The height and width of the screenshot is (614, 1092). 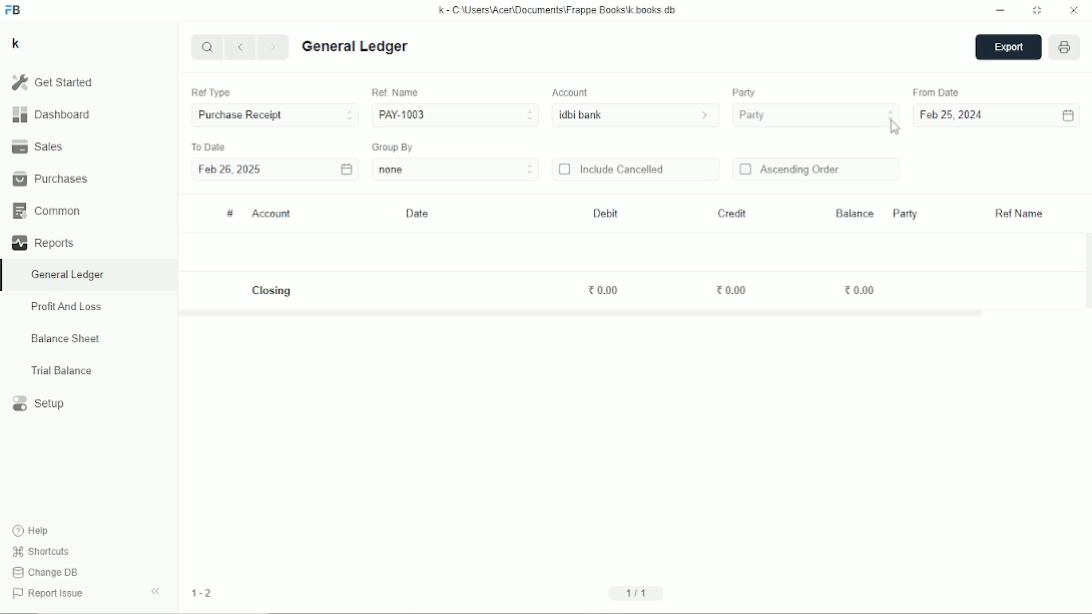 What do you see at coordinates (1074, 11) in the screenshot?
I see `Close` at bounding box center [1074, 11].